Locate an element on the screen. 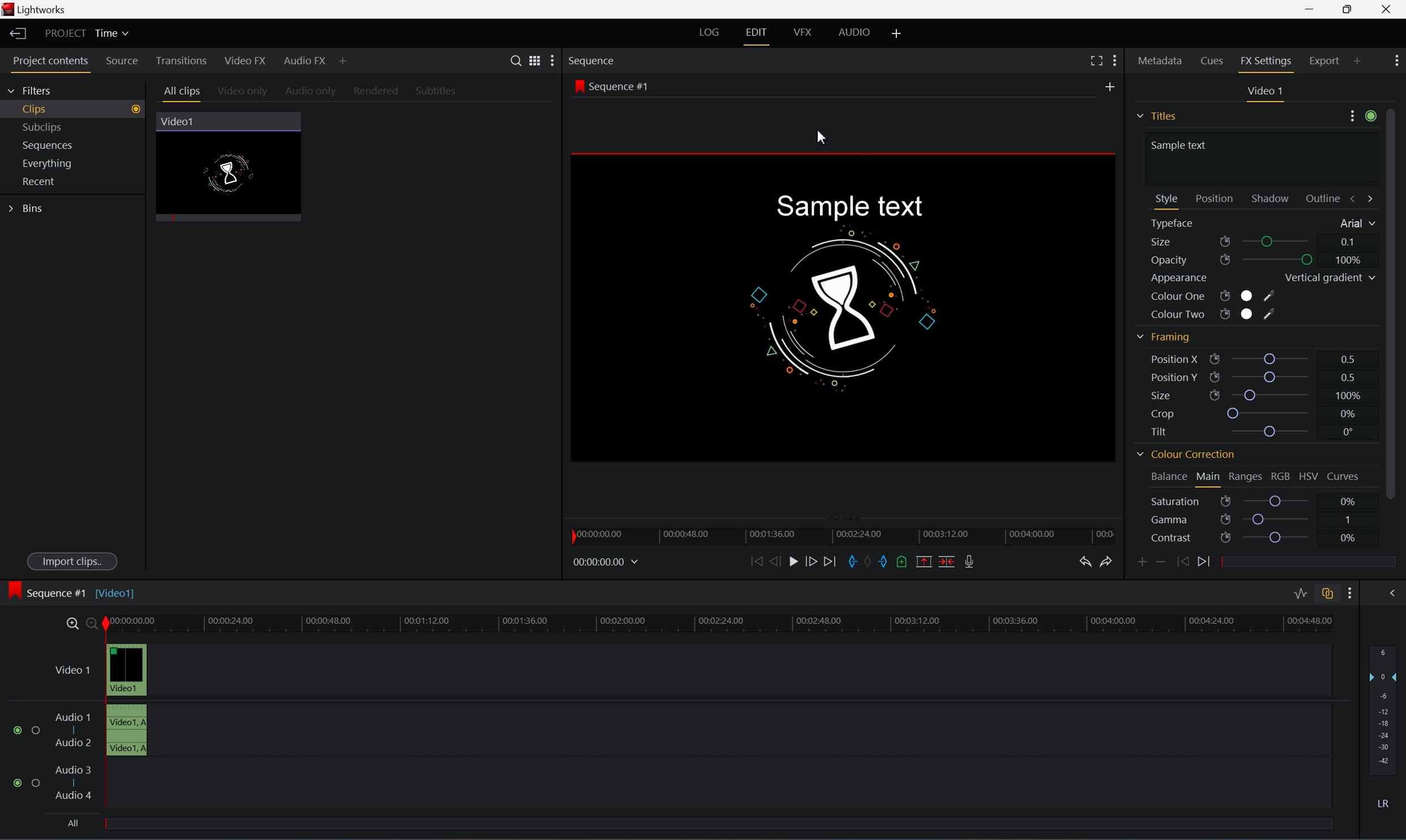 The image size is (1406, 840). add is located at coordinates (1113, 84).